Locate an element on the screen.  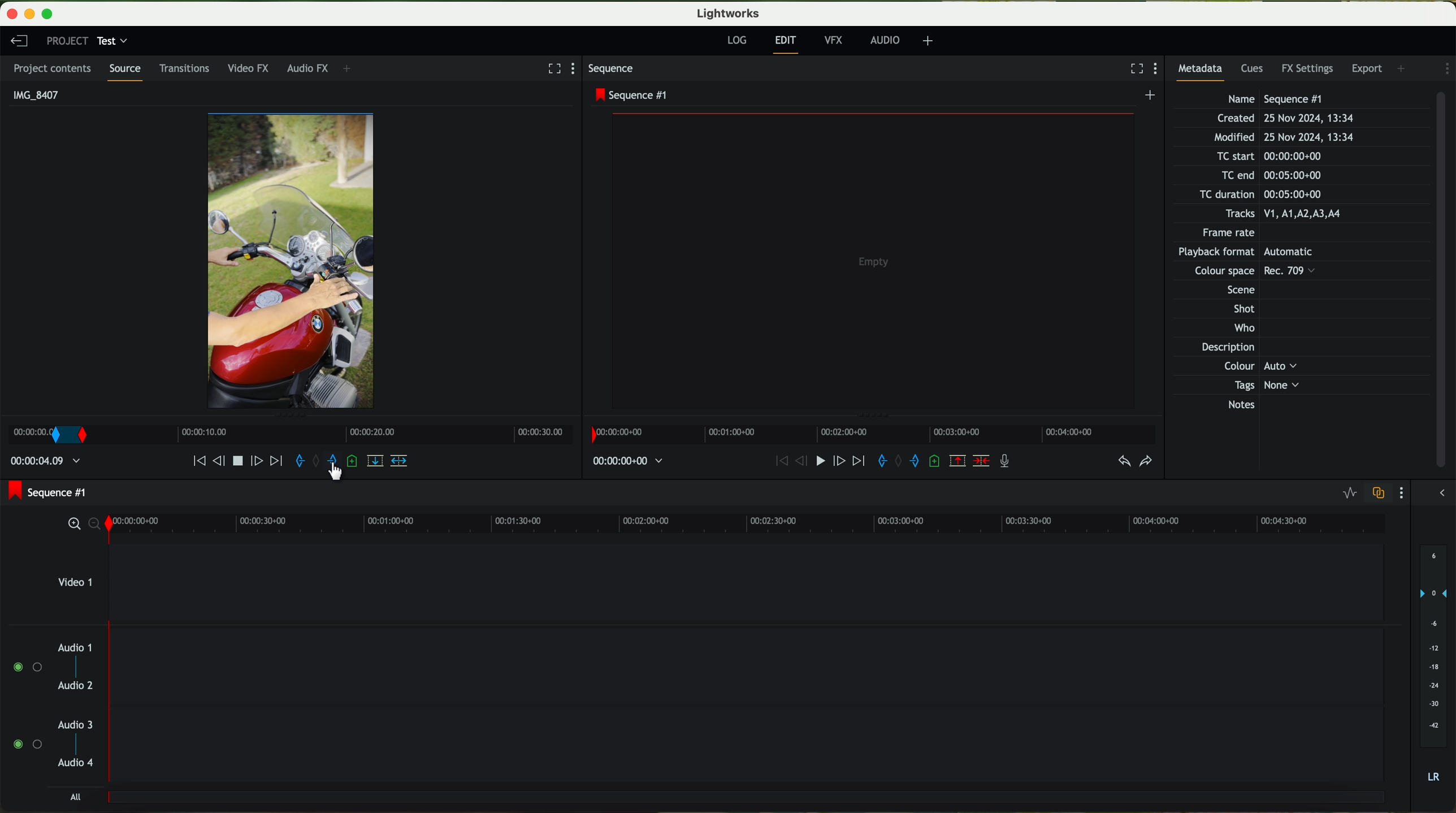
move foward is located at coordinates (276, 461).